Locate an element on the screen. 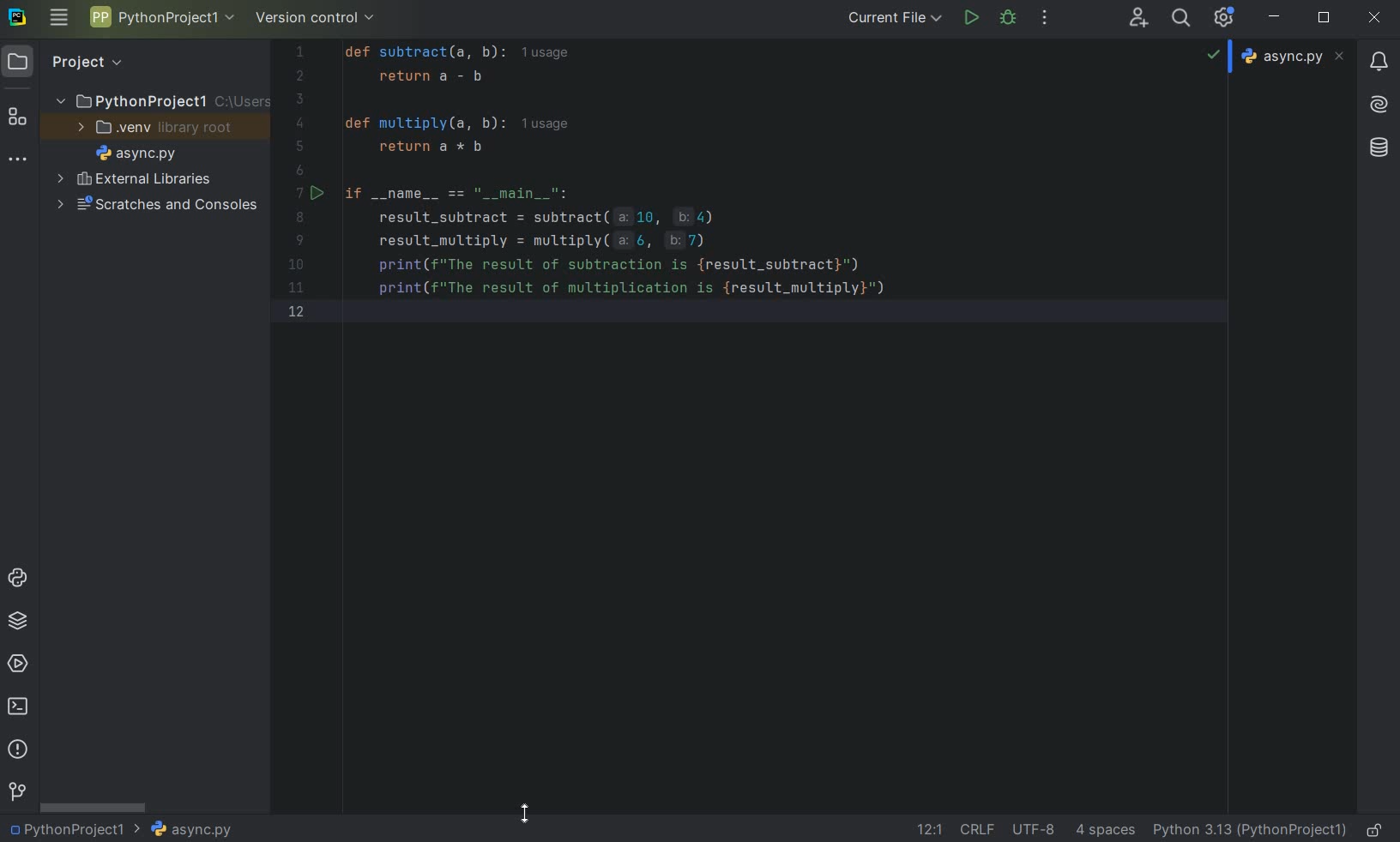  cursor is located at coordinates (525, 812).